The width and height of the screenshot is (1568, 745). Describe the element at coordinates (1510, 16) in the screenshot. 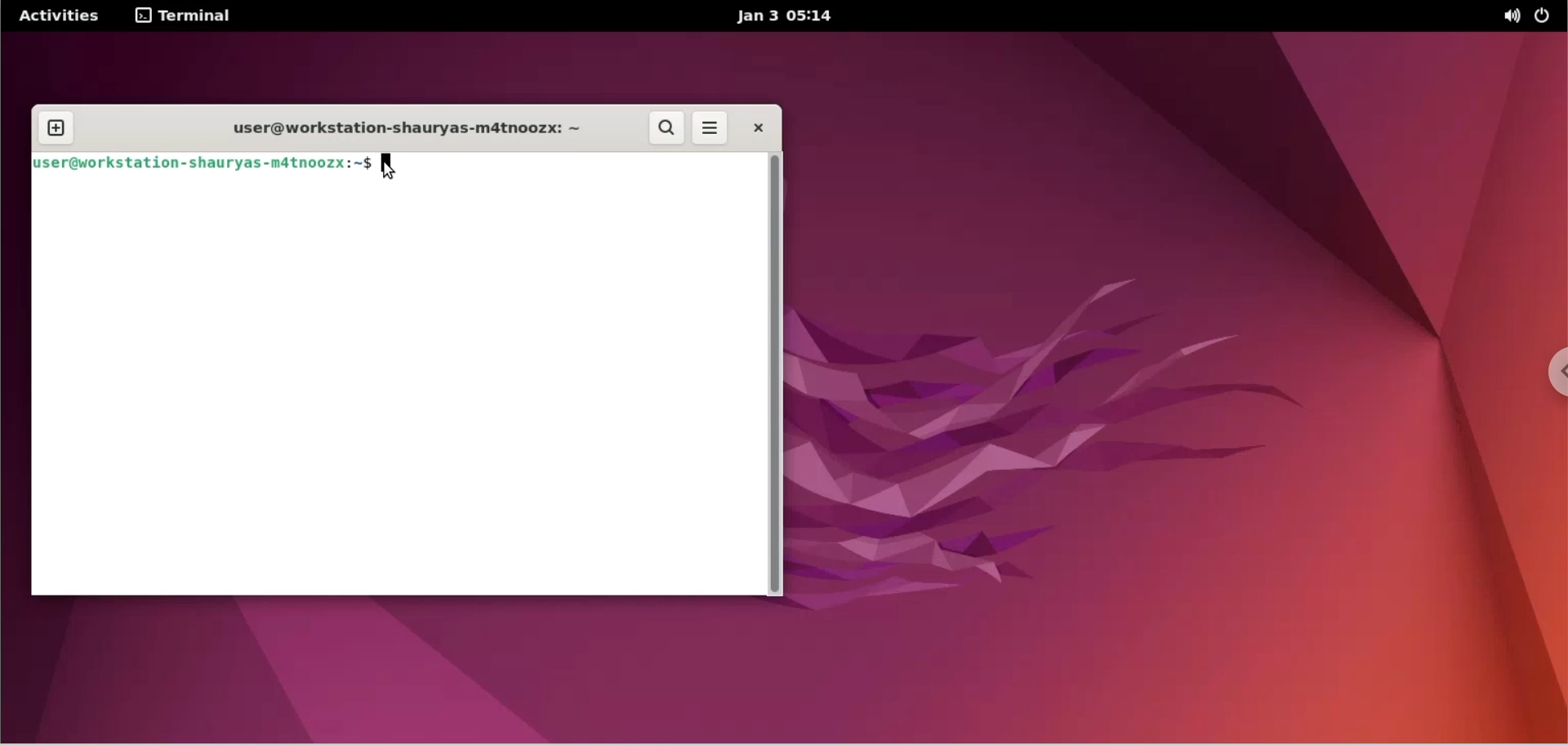

I see `sound options` at that location.